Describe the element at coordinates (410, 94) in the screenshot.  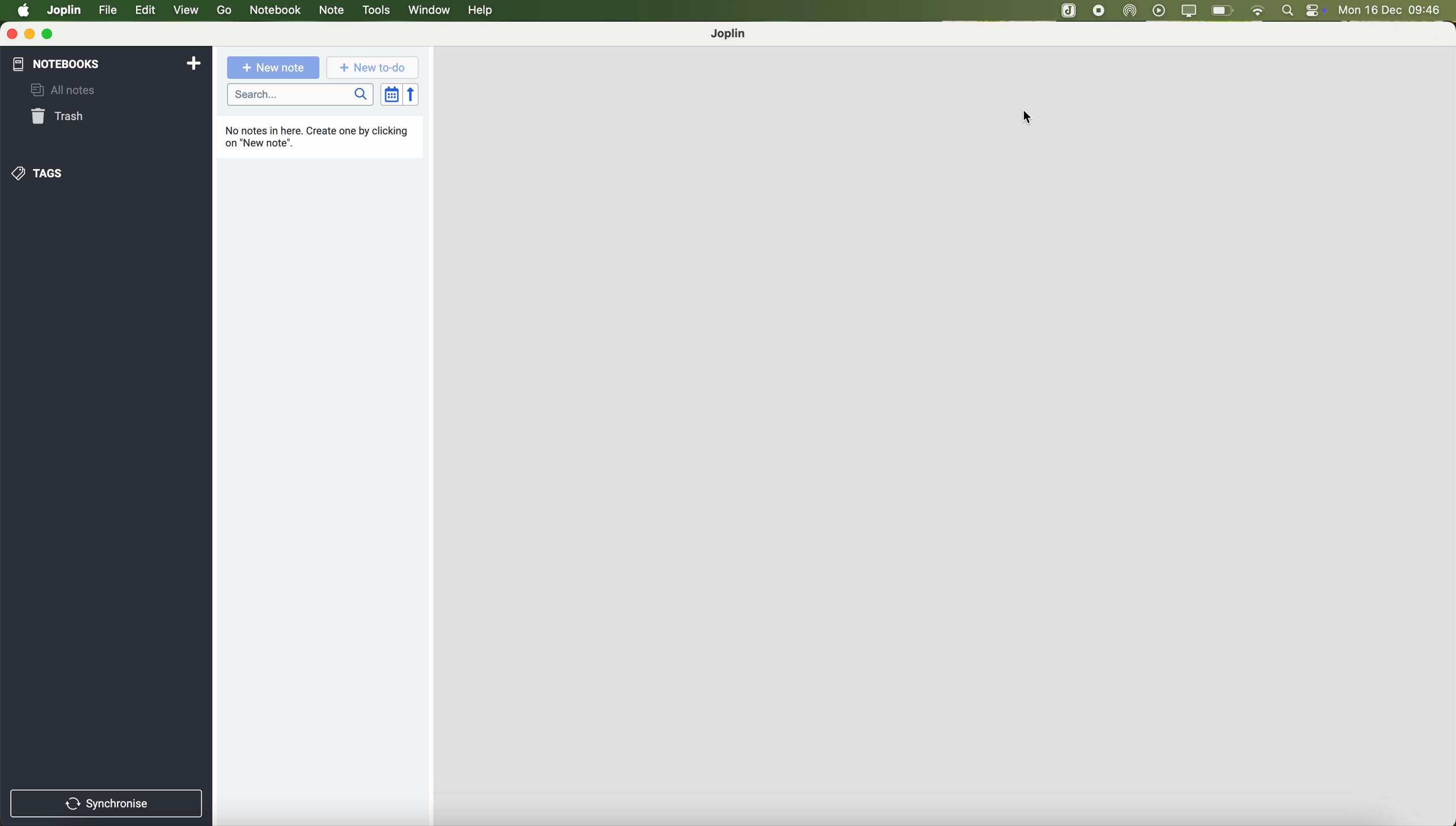
I see `reverse sort order` at that location.